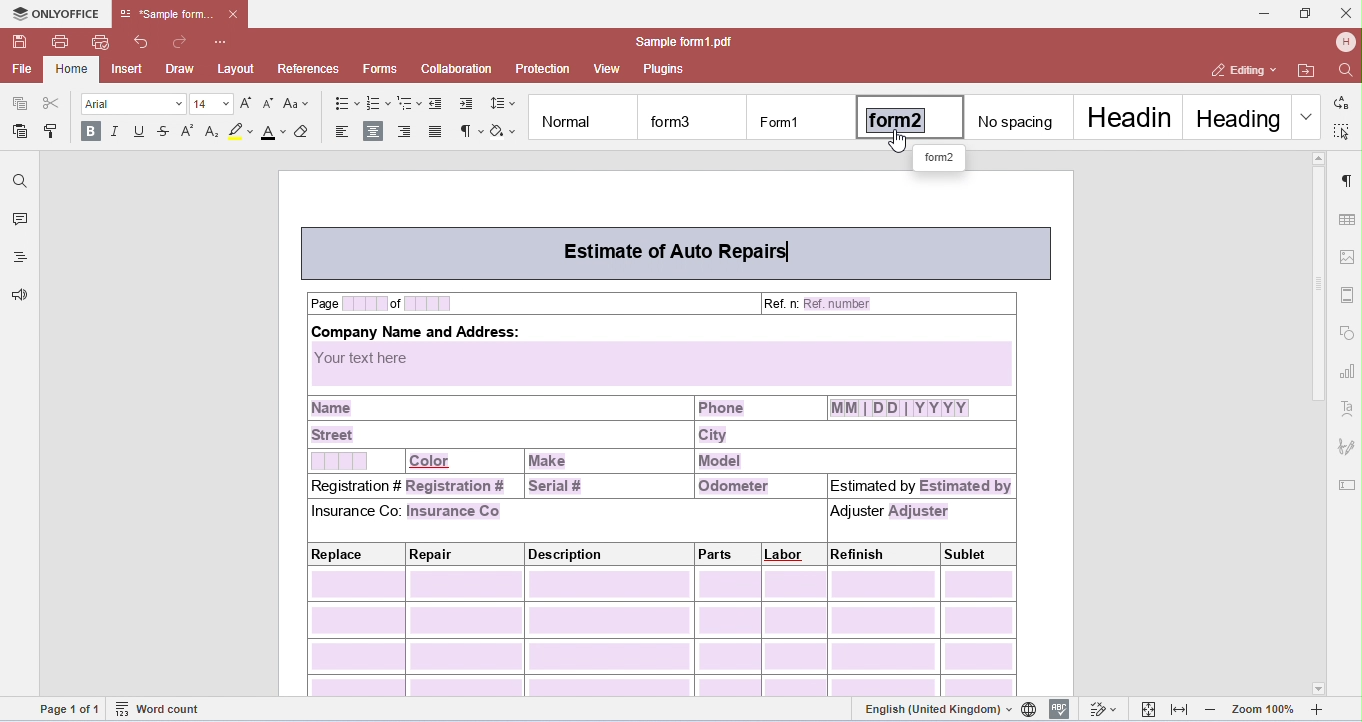  I want to click on open file loaction, so click(1306, 71).